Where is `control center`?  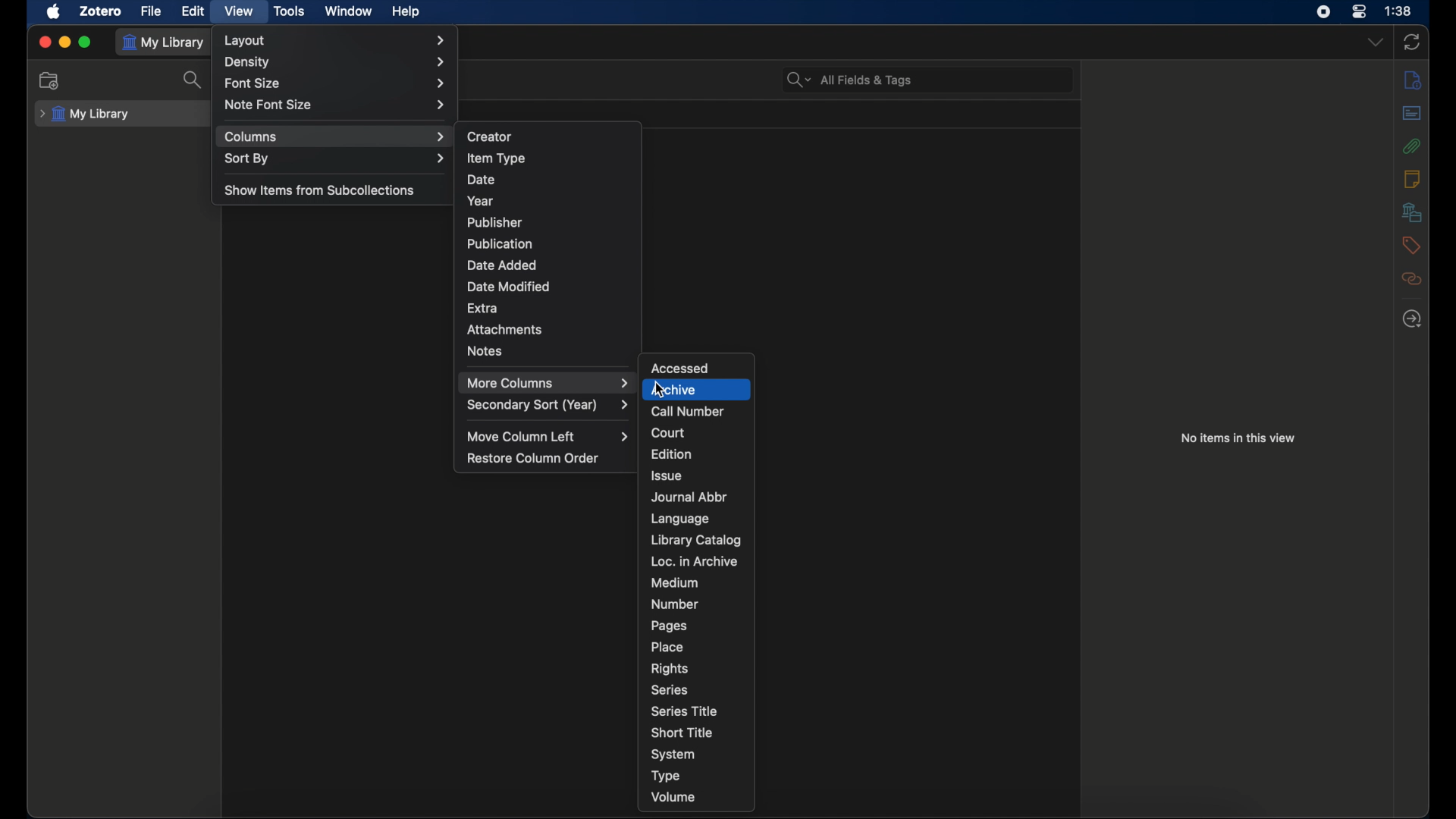
control center is located at coordinates (1360, 12).